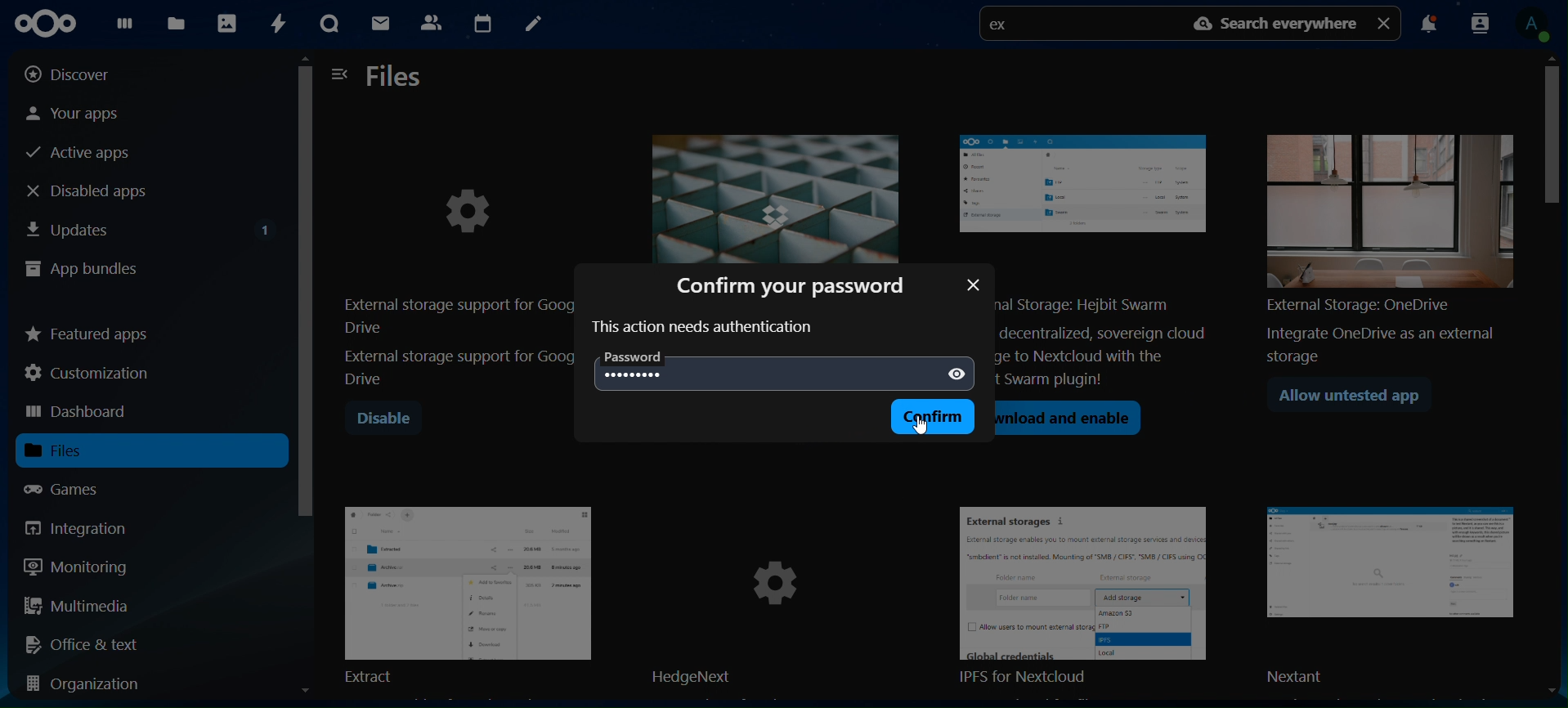  What do you see at coordinates (276, 24) in the screenshot?
I see `activity` at bounding box center [276, 24].